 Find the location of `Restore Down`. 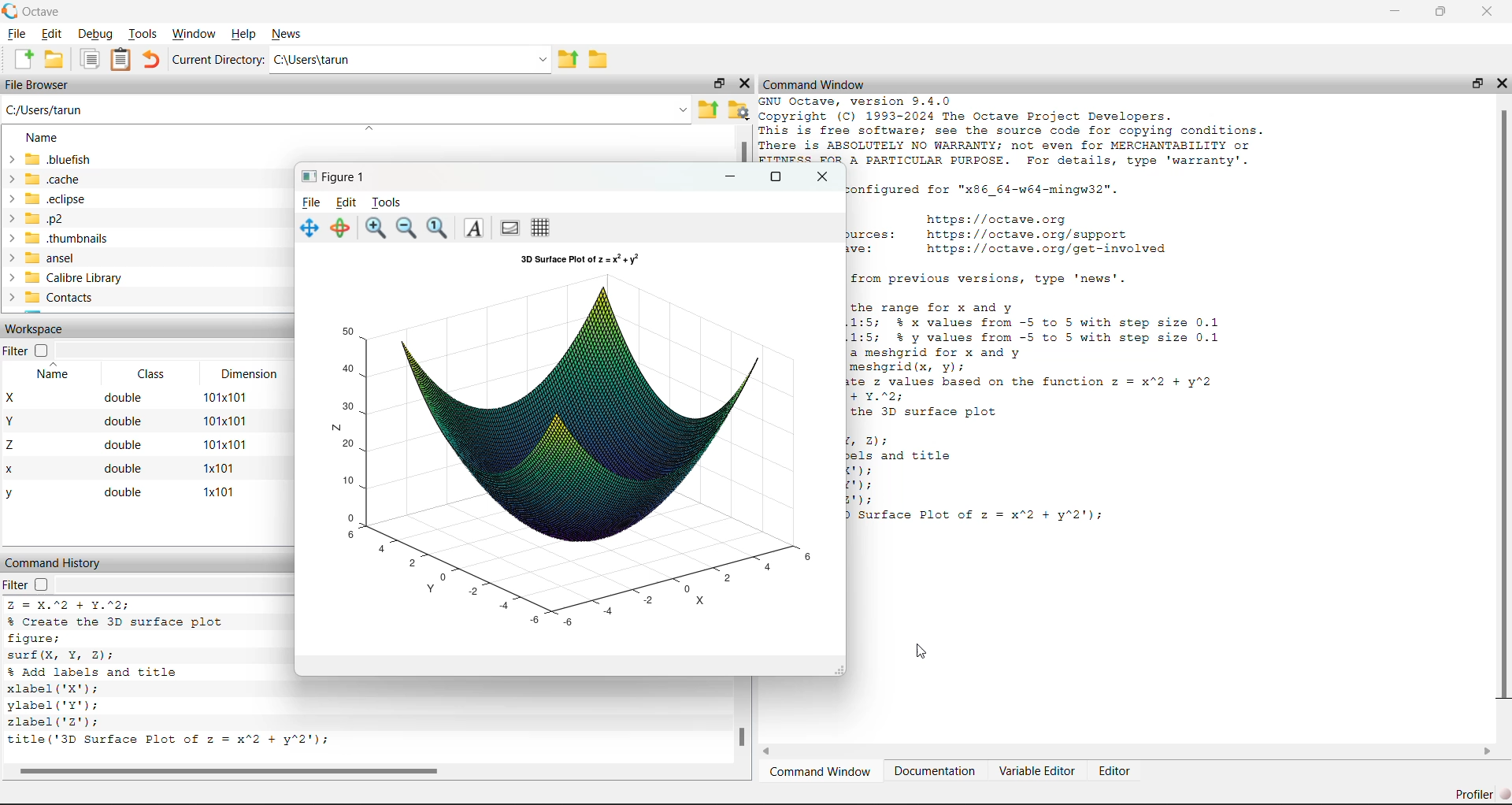

Restore Down is located at coordinates (1477, 83).